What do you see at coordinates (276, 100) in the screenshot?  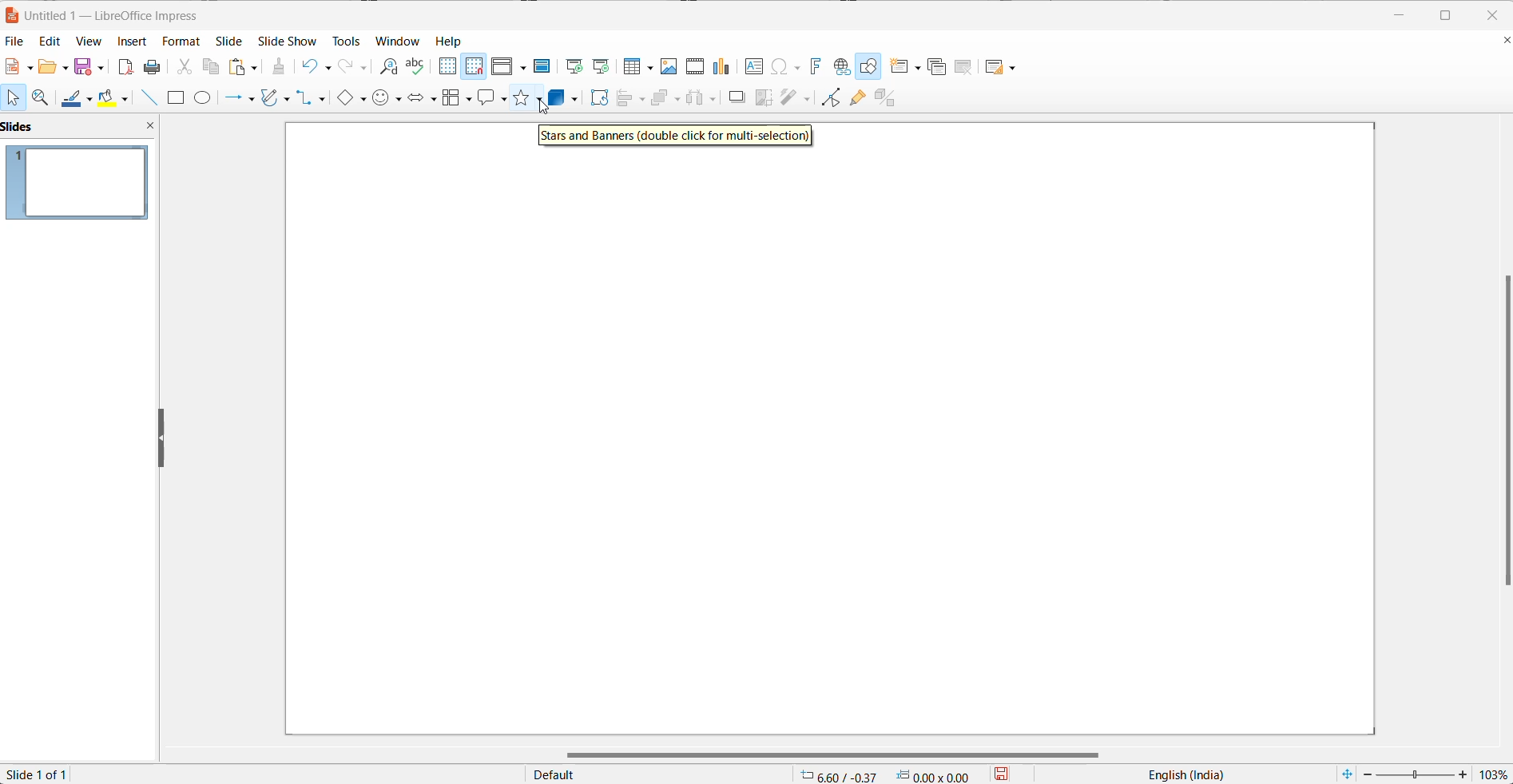 I see `curve and polygons` at bounding box center [276, 100].